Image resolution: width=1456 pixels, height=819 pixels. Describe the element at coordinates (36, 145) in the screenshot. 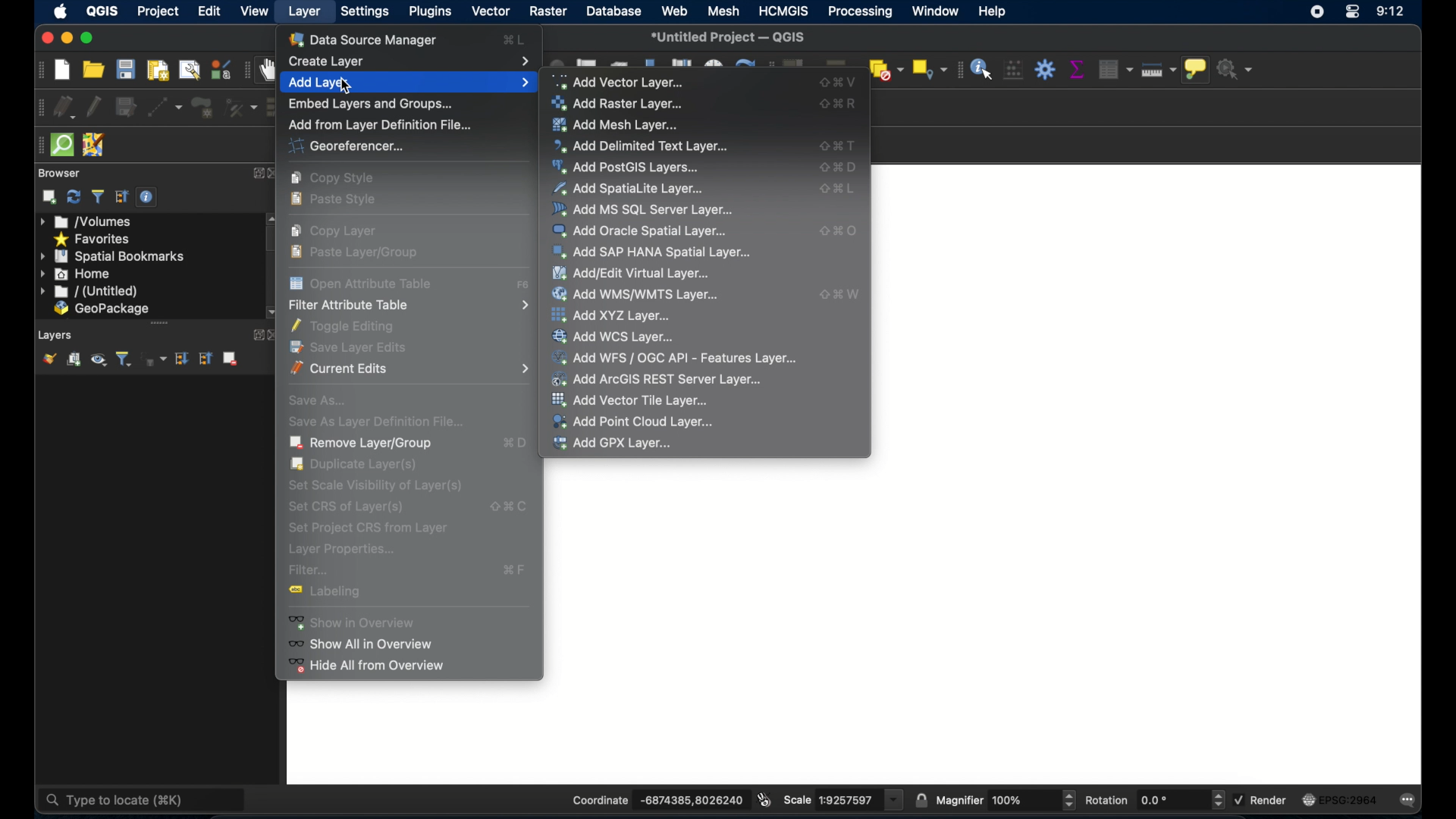

I see `drag handle` at that location.